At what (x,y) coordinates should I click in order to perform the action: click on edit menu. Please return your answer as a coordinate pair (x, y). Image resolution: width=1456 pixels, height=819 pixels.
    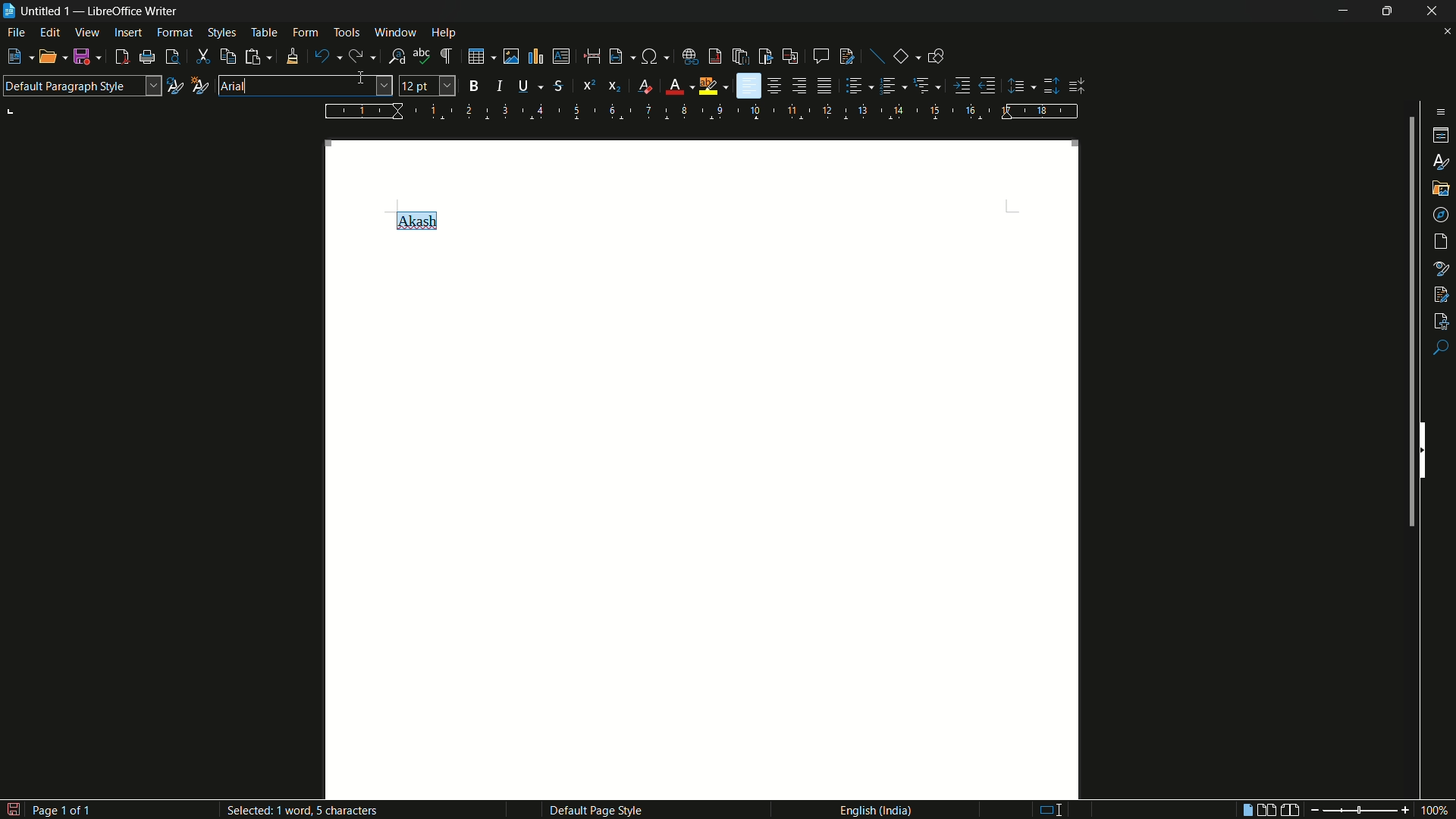
    Looking at the image, I should click on (52, 33).